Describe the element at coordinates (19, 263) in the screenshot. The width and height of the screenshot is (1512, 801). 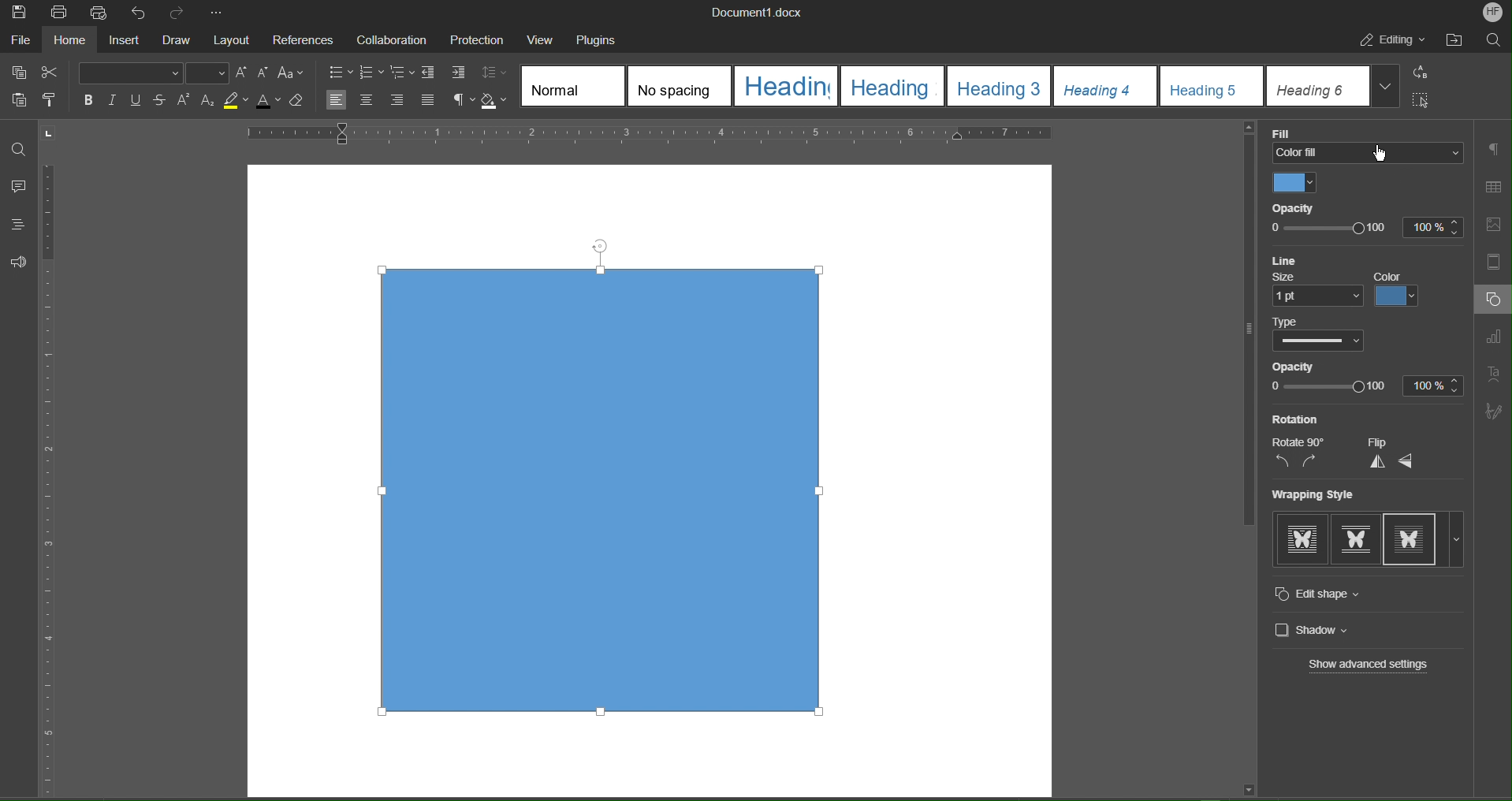
I see `Feedback and Support` at that location.